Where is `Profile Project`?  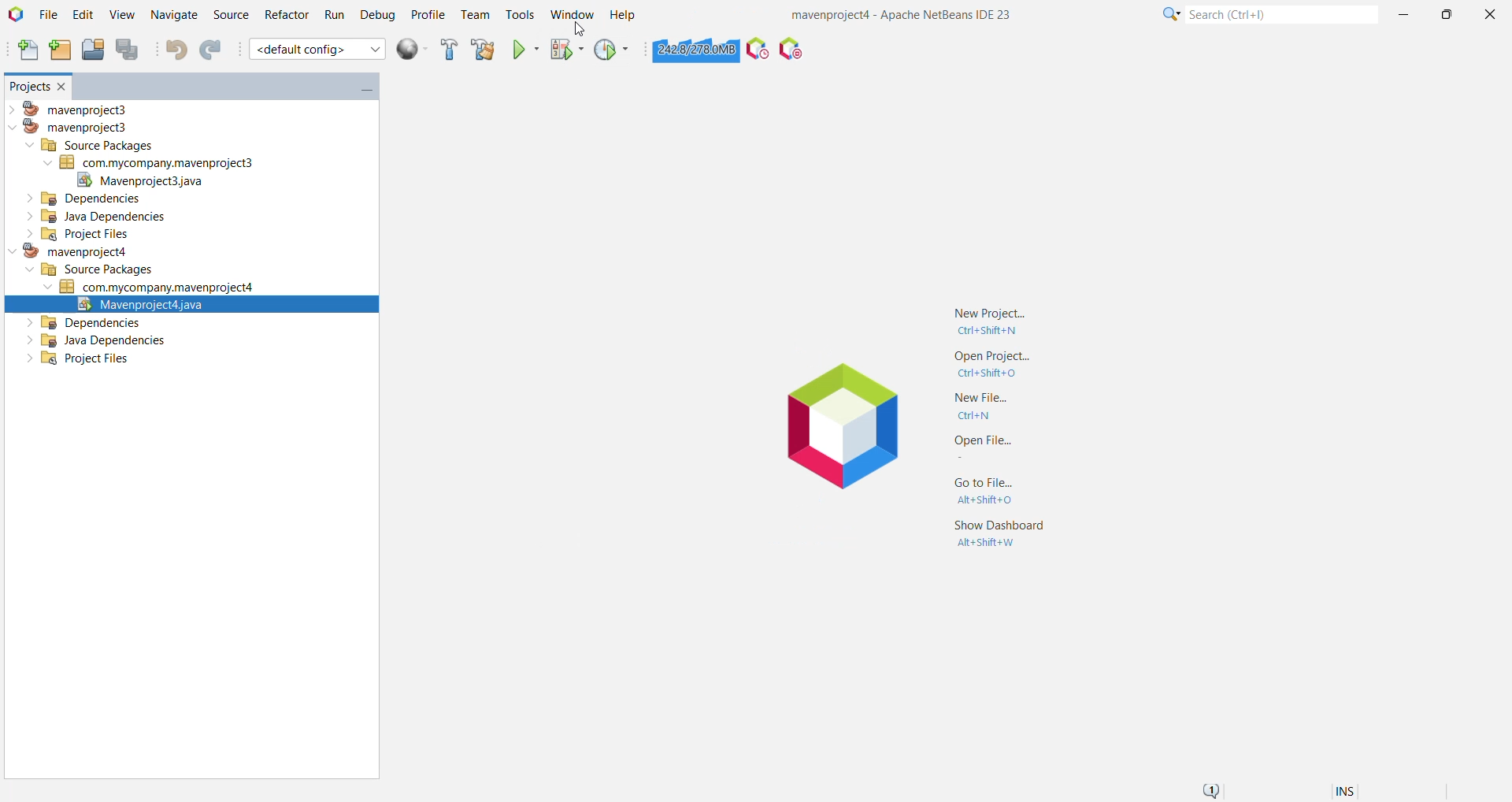 Profile Project is located at coordinates (613, 51).